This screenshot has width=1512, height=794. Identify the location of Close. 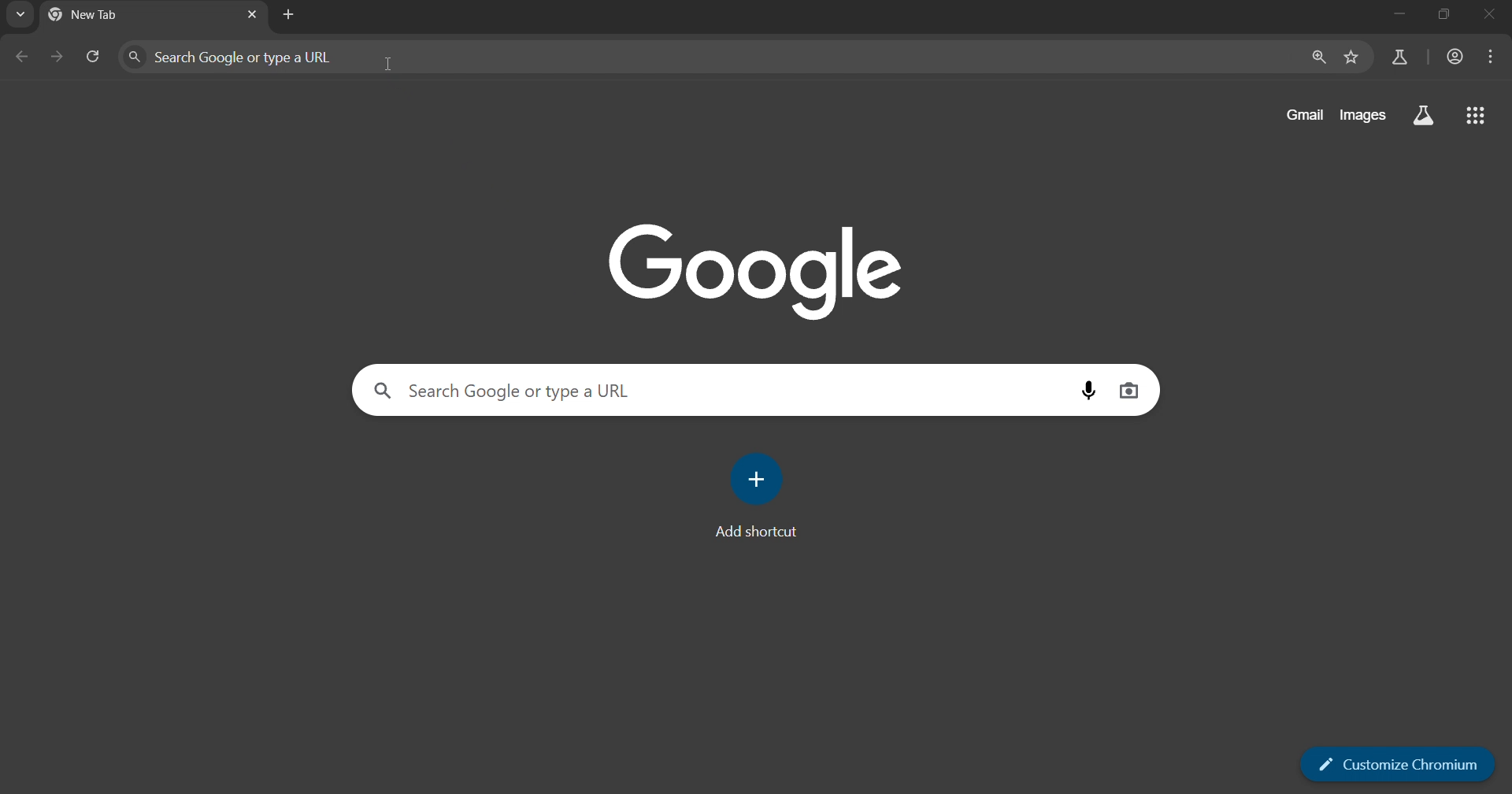
(1492, 17).